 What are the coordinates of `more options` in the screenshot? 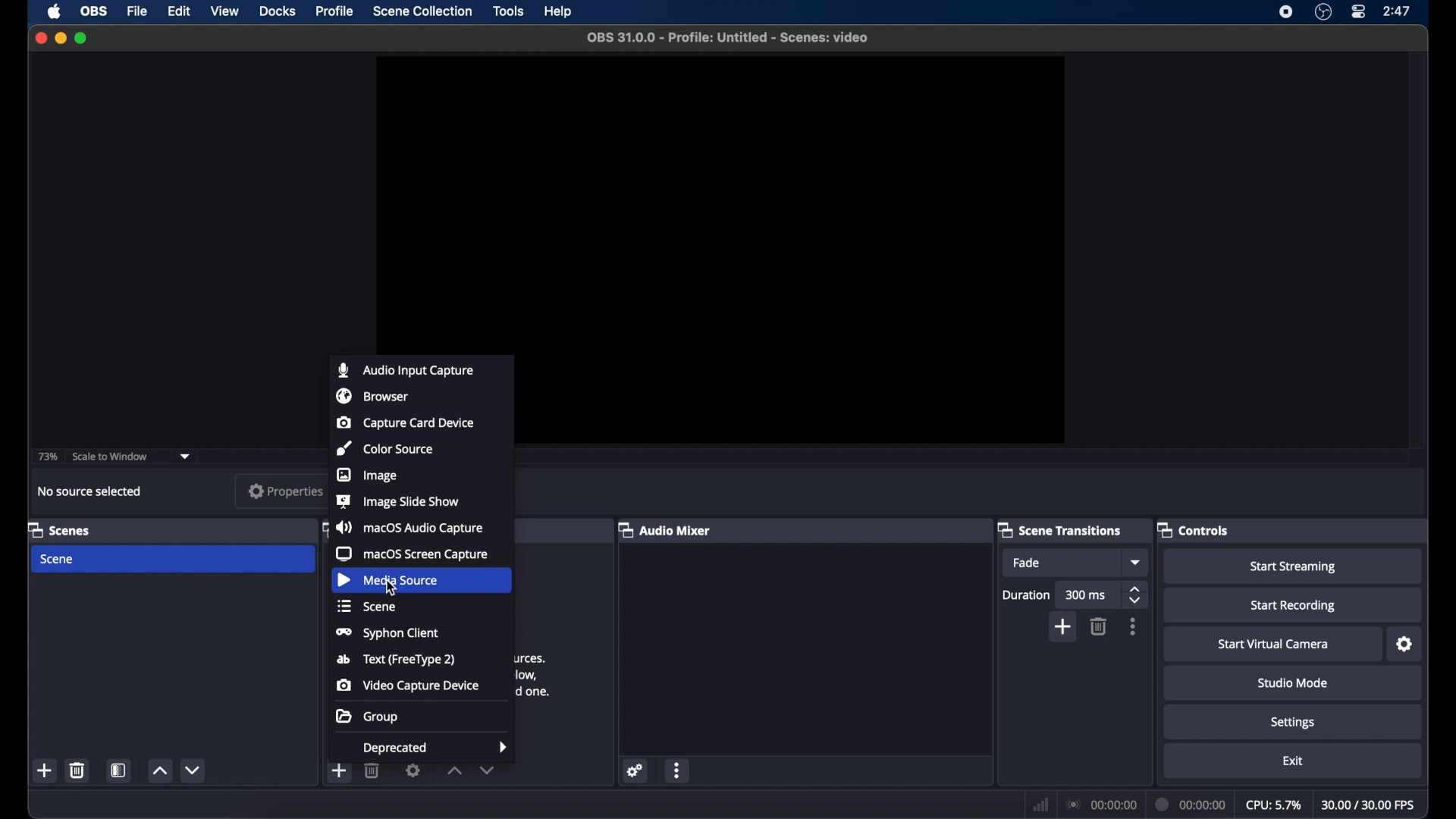 It's located at (678, 770).